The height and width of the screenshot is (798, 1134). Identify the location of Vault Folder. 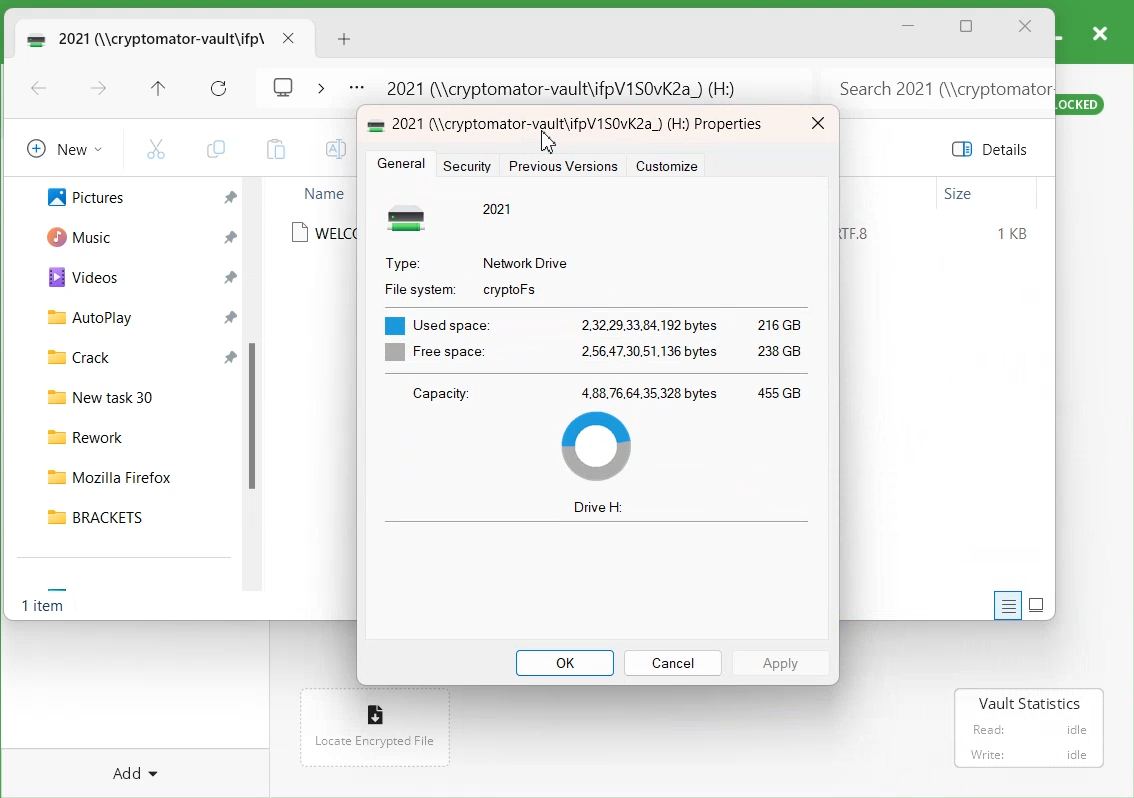
(142, 38).